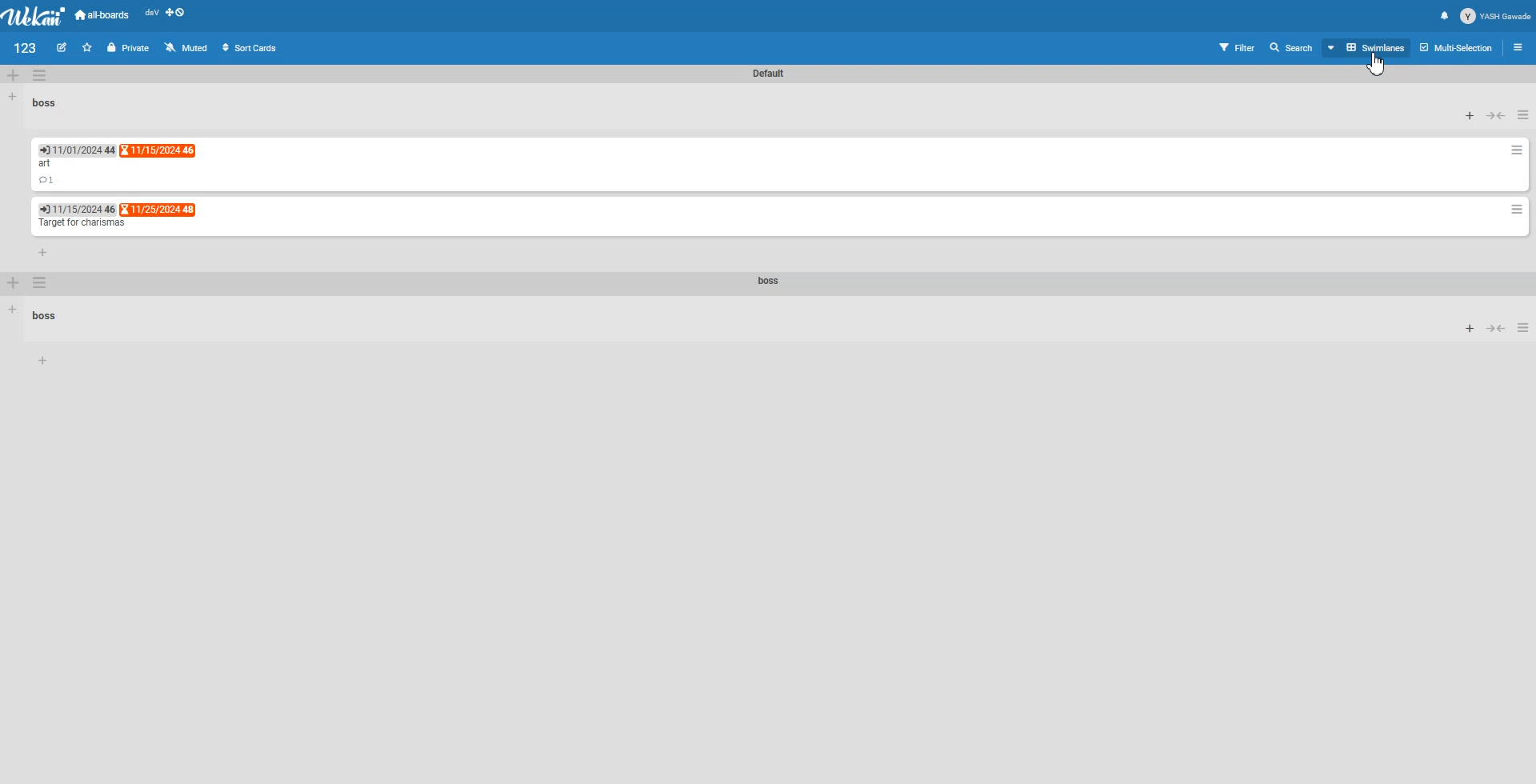 The image size is (1536, 784). What do you see at coordinates (35, 16) in the screenshot?
I see `Logo` at bounding box center [35, 16].